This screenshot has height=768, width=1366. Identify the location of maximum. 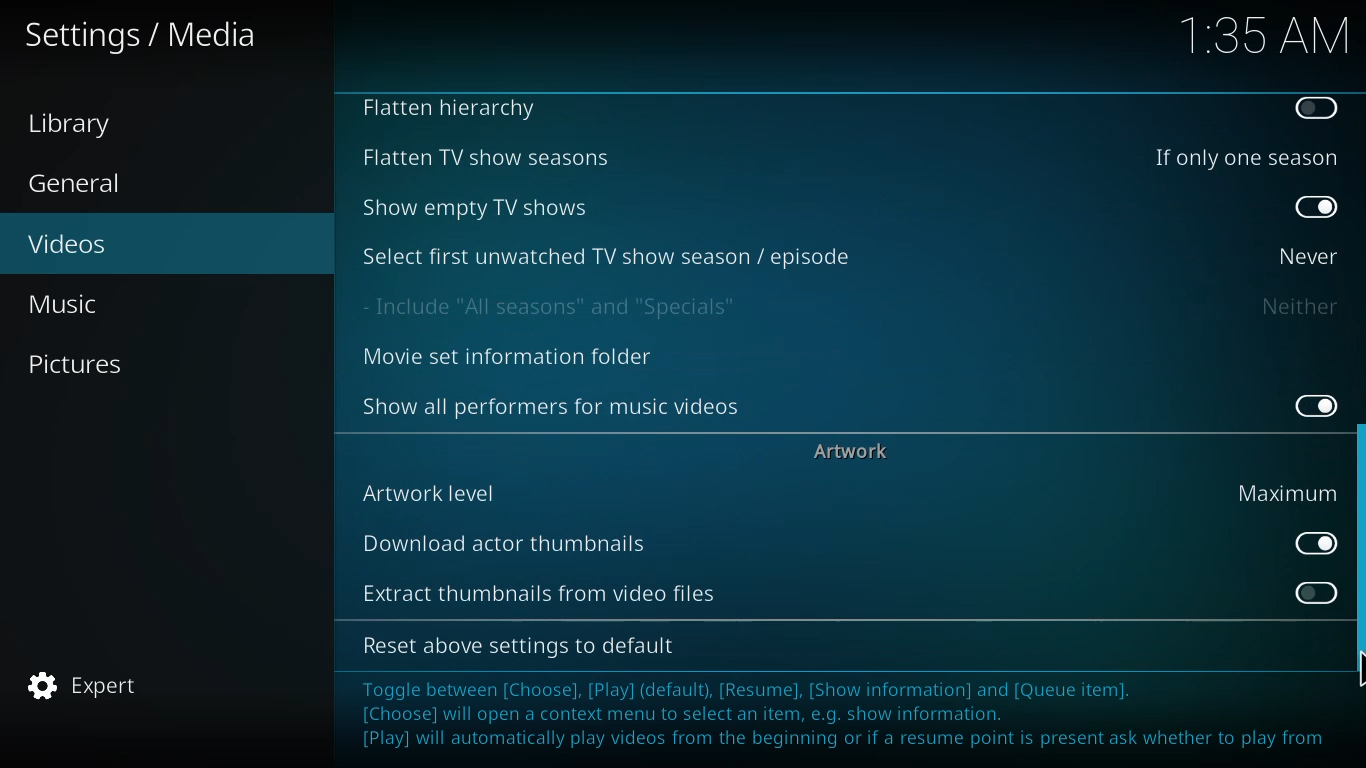
(1287, 492).